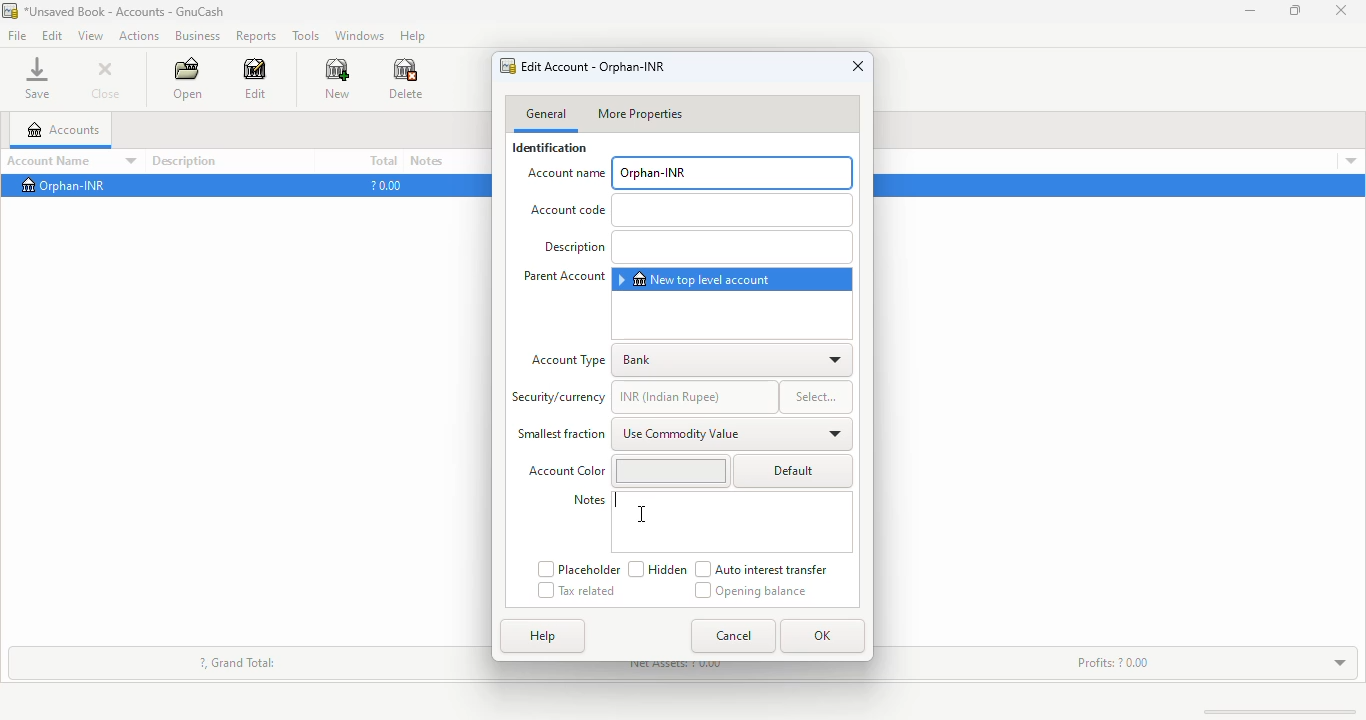 The height and width of the screenshot is (720, 1366). What do you see at coordinates (585, 500) in the screenshot?
I see `notes` at bounding box center [585, 500].